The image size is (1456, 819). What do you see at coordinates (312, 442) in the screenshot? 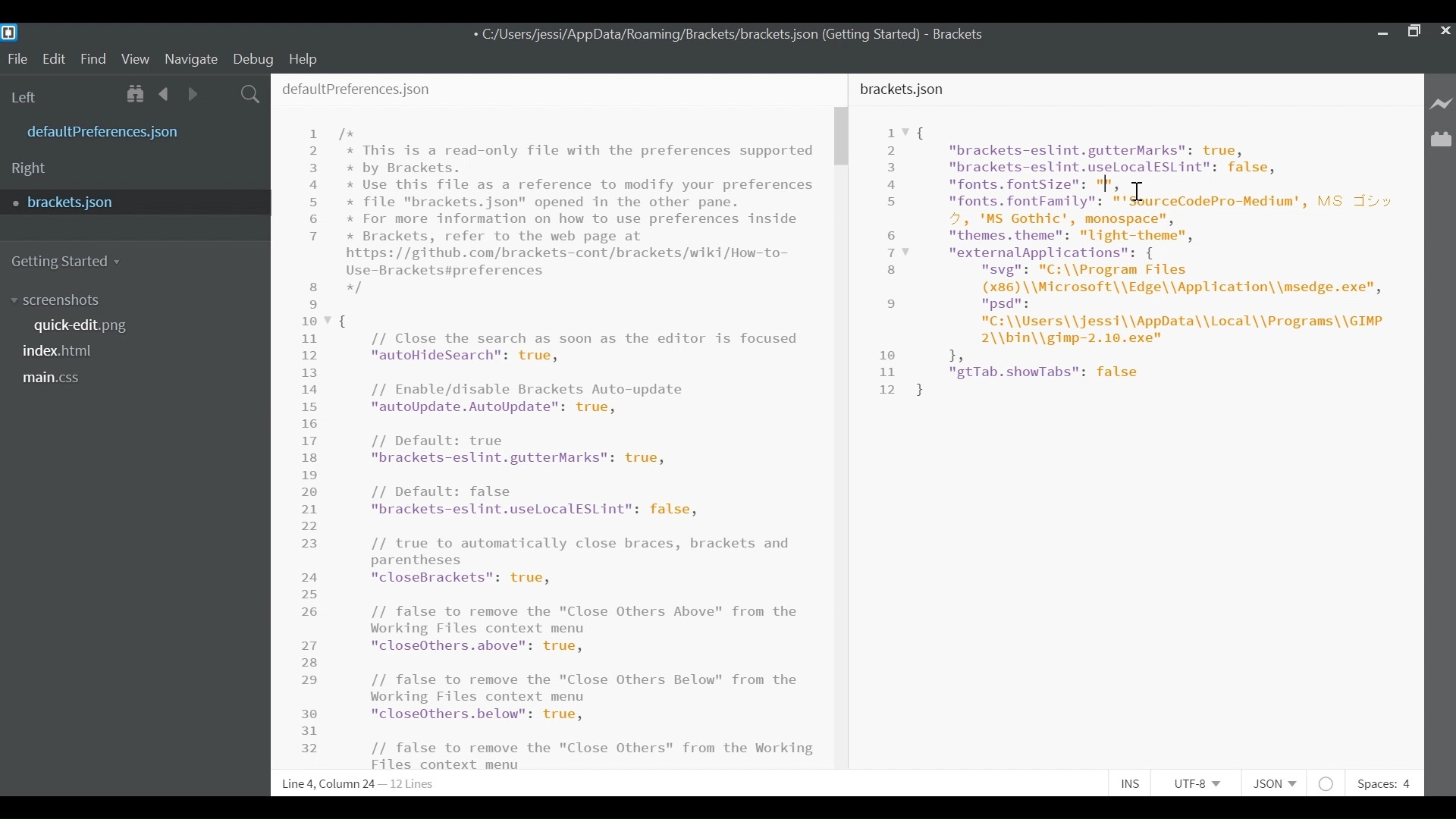
I see `Line Number` at bounding box center [312, 442].